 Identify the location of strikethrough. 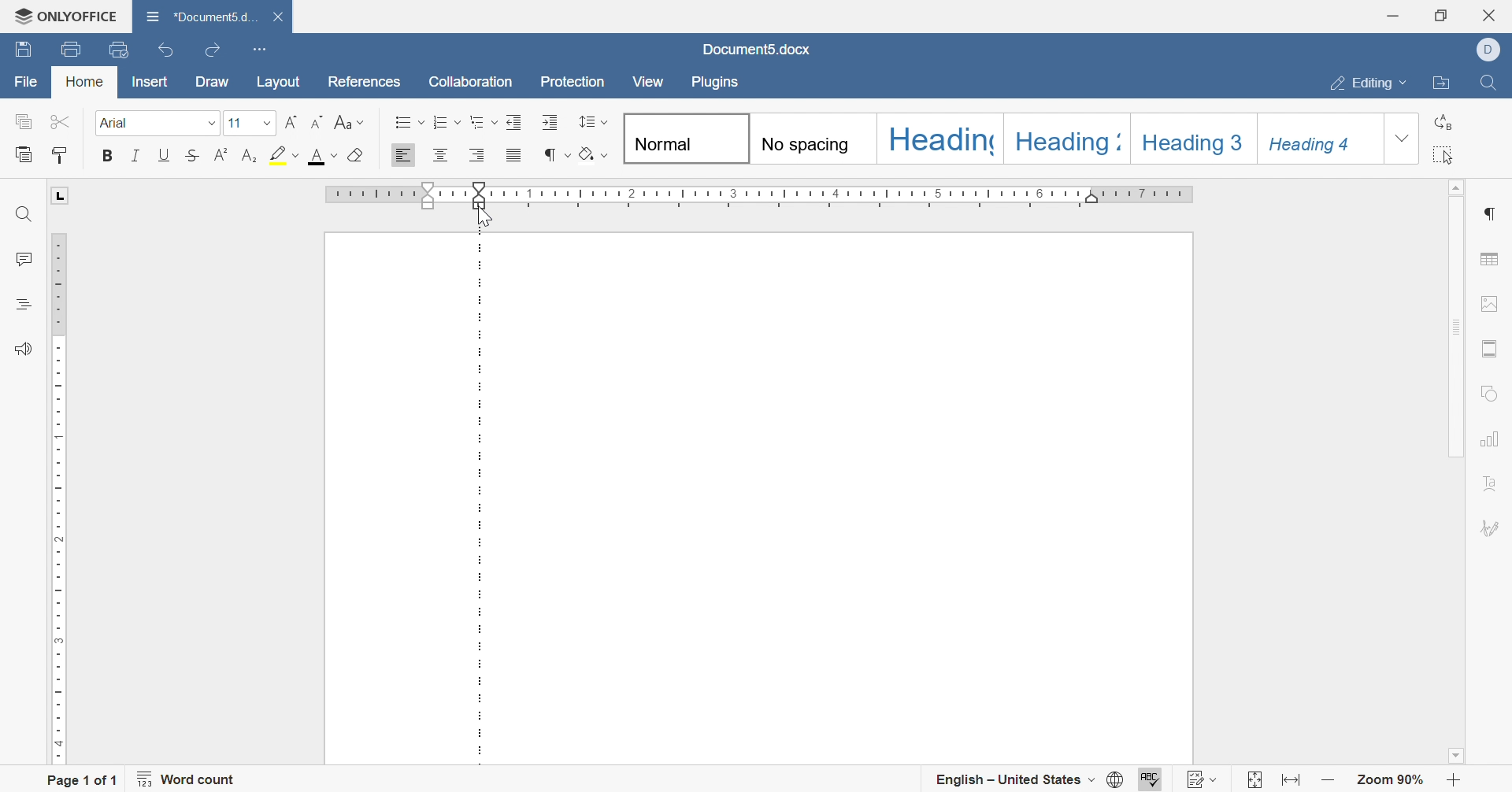
(195, 154).